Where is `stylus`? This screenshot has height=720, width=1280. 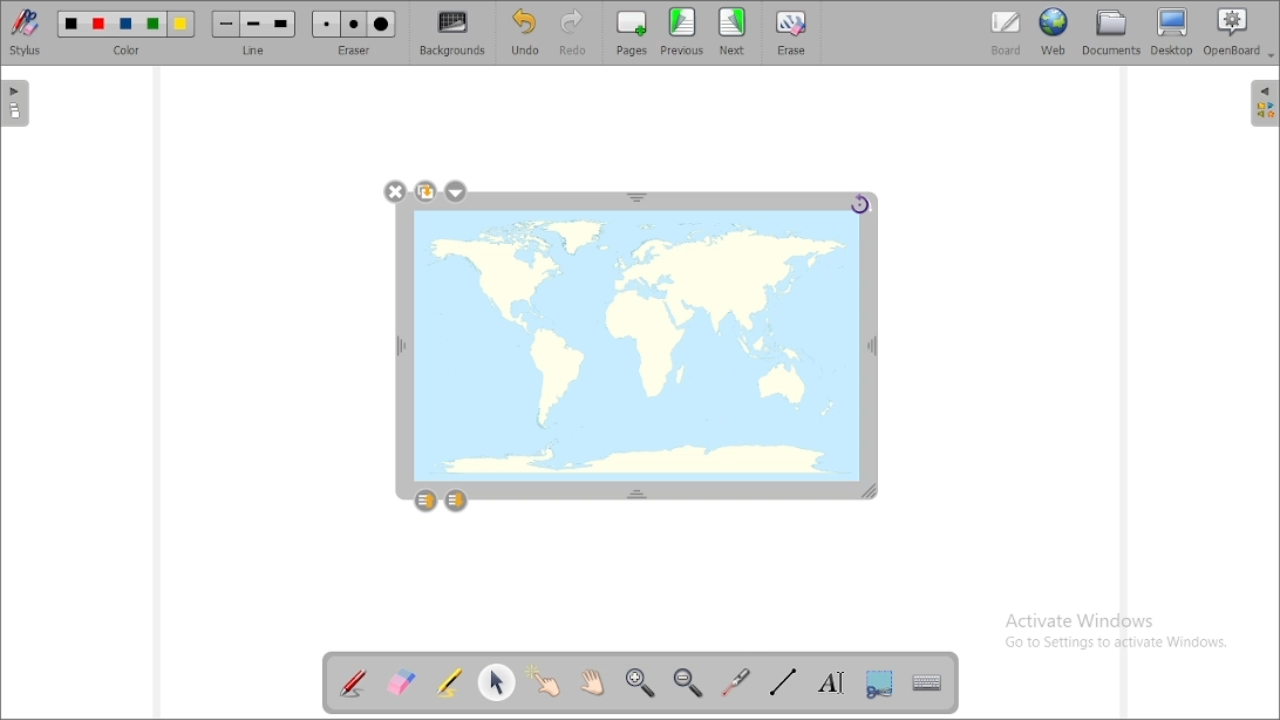
stylus is located at coordinates (25, 32).